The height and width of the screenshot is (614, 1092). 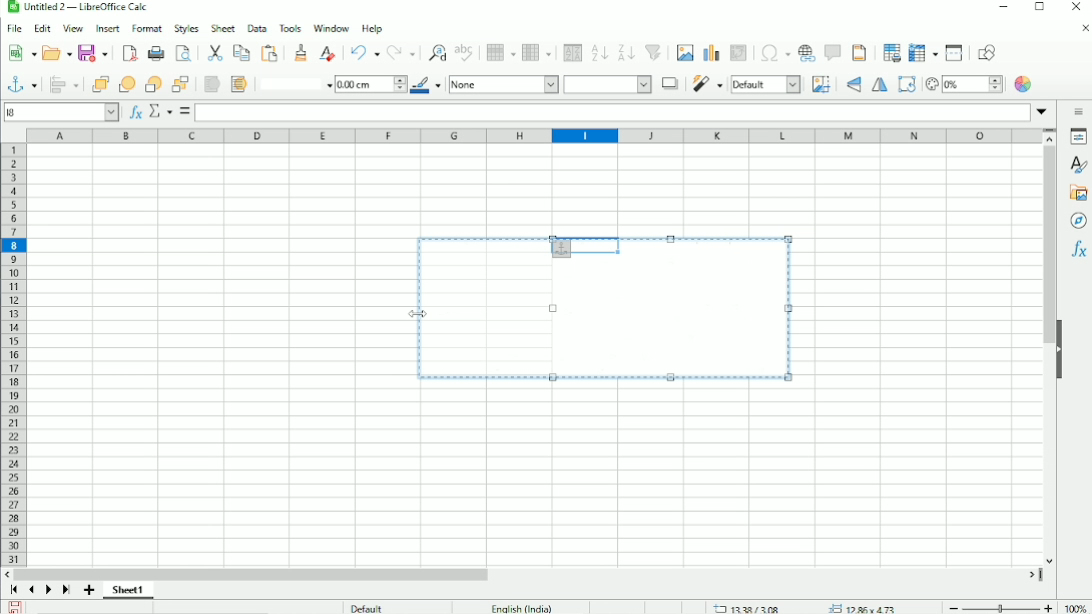 I want to click on Filter, so click(x=707, y=84).